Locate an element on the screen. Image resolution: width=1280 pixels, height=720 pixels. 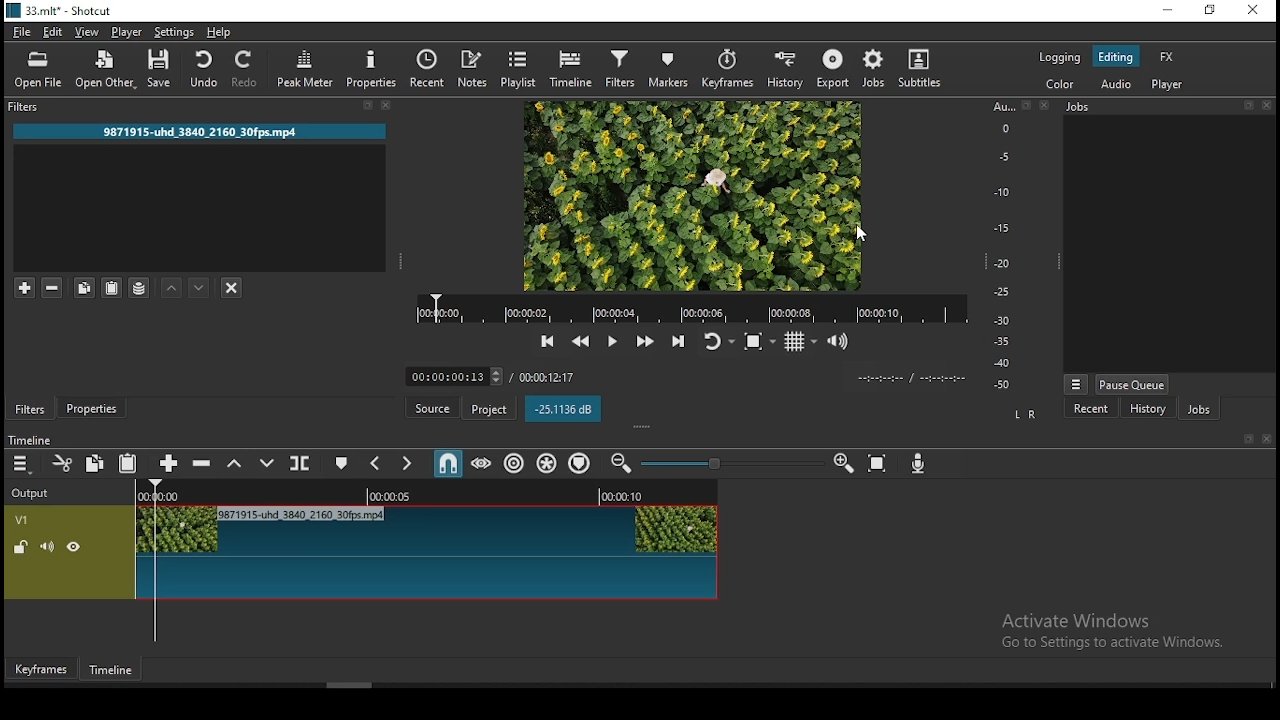
split at playhead is located at coordinates (428, 69).